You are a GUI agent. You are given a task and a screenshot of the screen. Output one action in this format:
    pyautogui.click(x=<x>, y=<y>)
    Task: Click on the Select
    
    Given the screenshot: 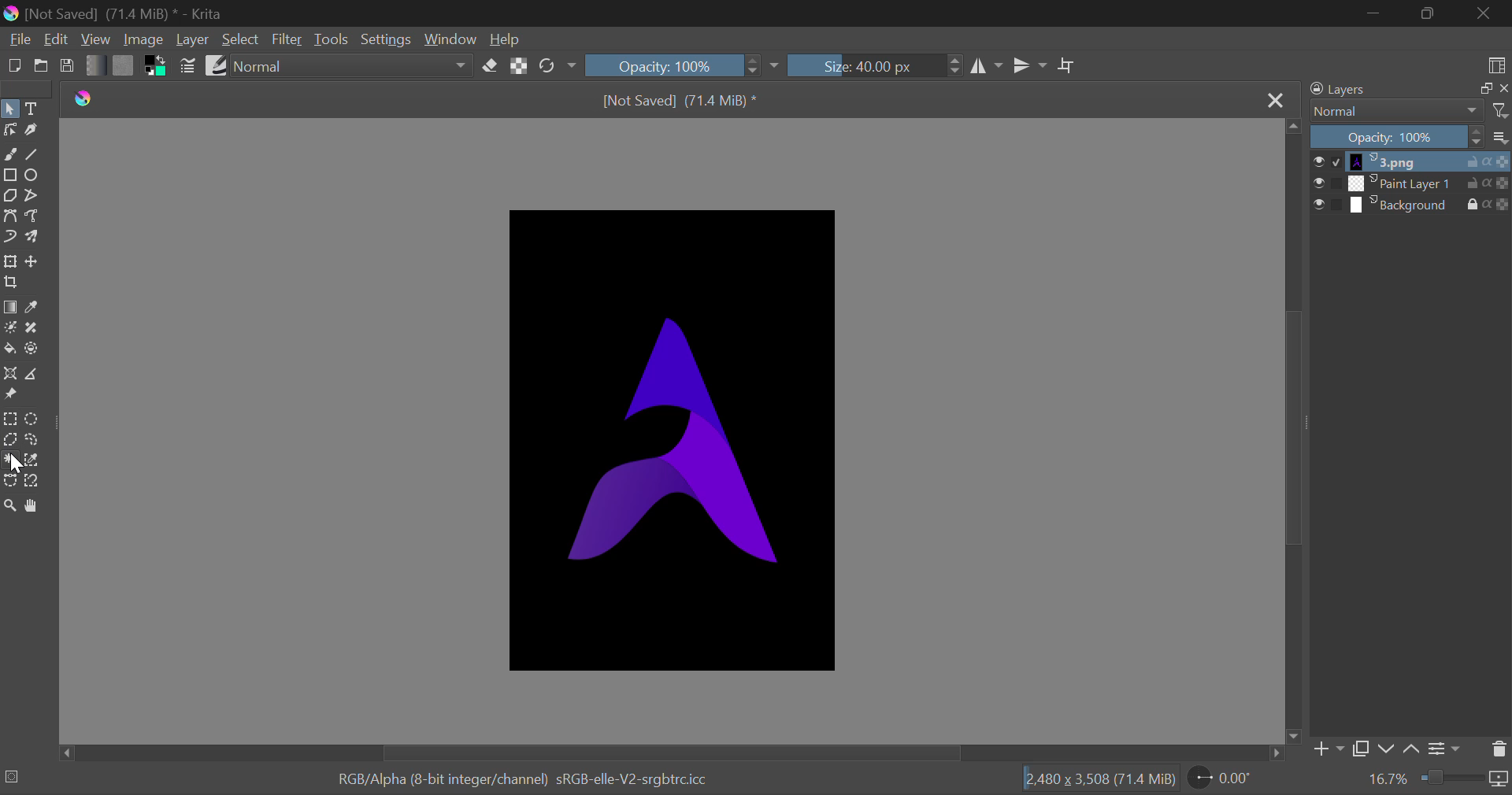 What is the action you would take?
    pyautogui.click(x=241, y=39)
    